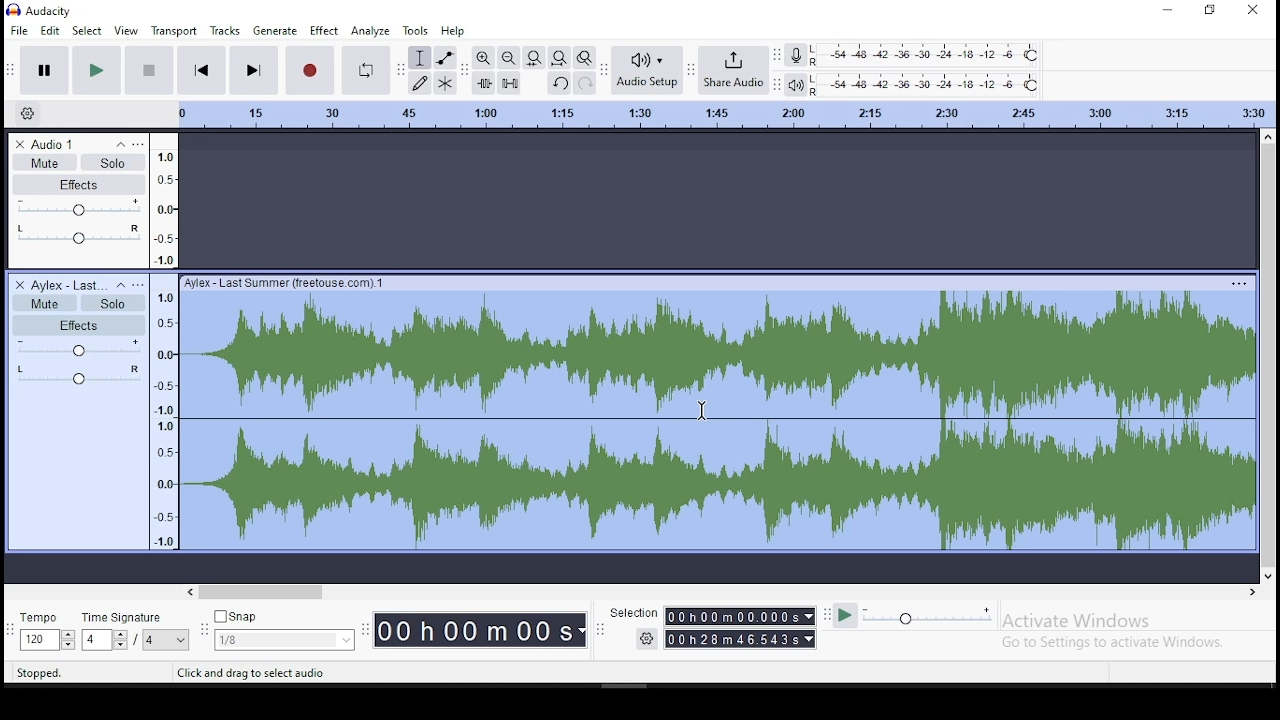  Describe the element at coordinates (647, 69) in the screenshot. I see `audio setup` at that location.